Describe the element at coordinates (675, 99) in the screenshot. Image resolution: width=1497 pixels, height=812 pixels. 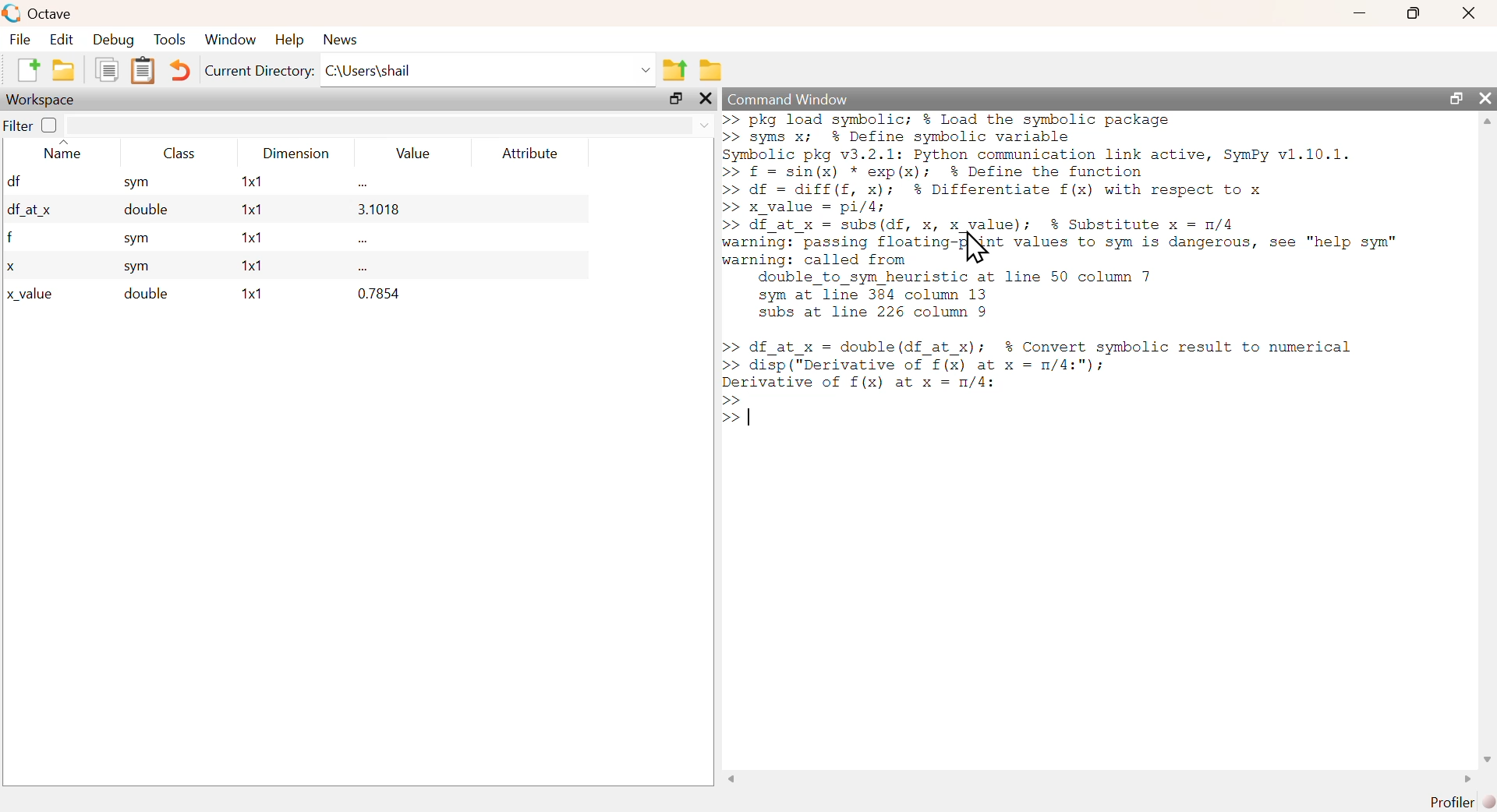
I see `maximize` at that location.